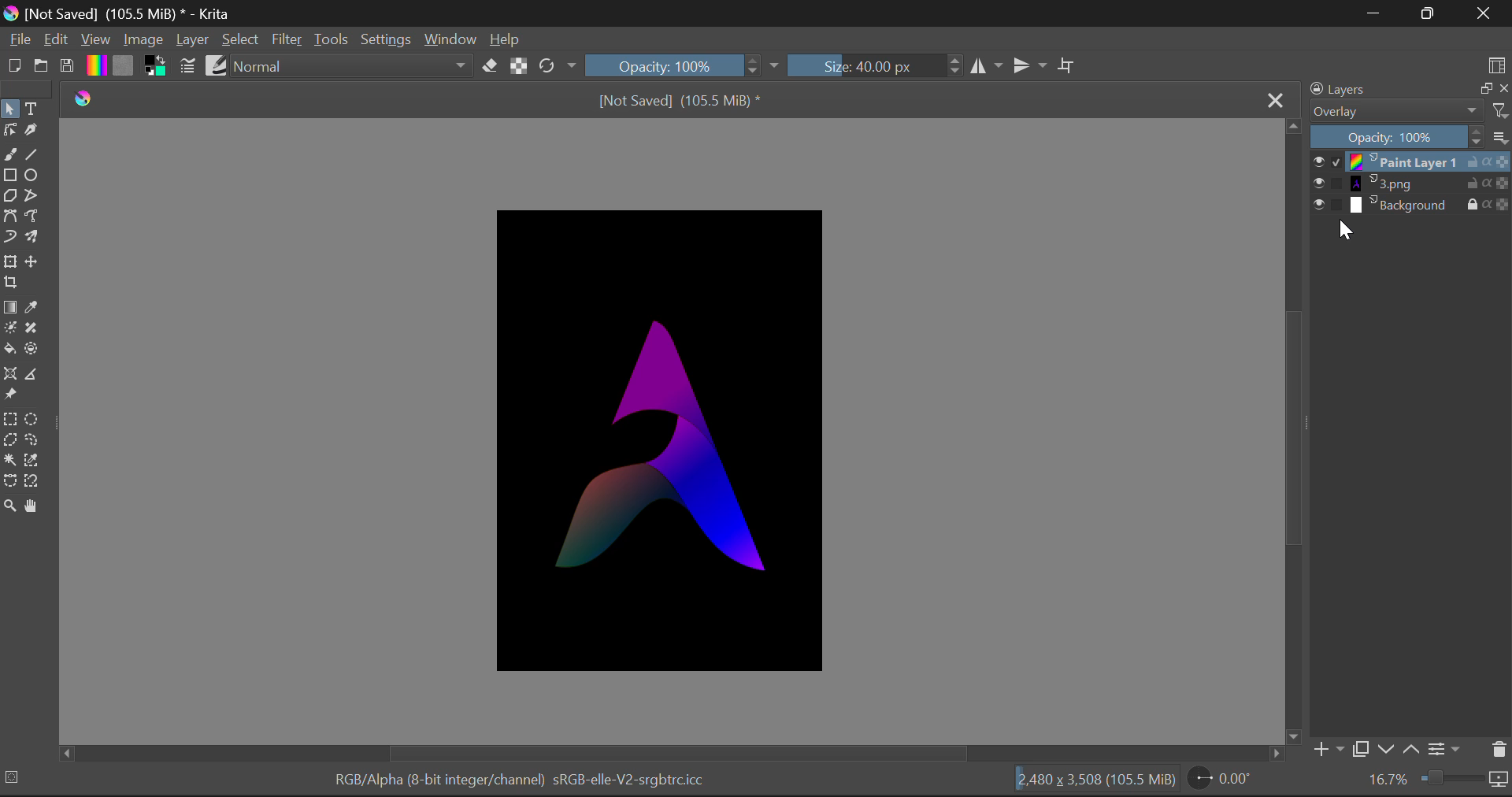  I want to click on Bezier Curve Selection, so click(10, 484).